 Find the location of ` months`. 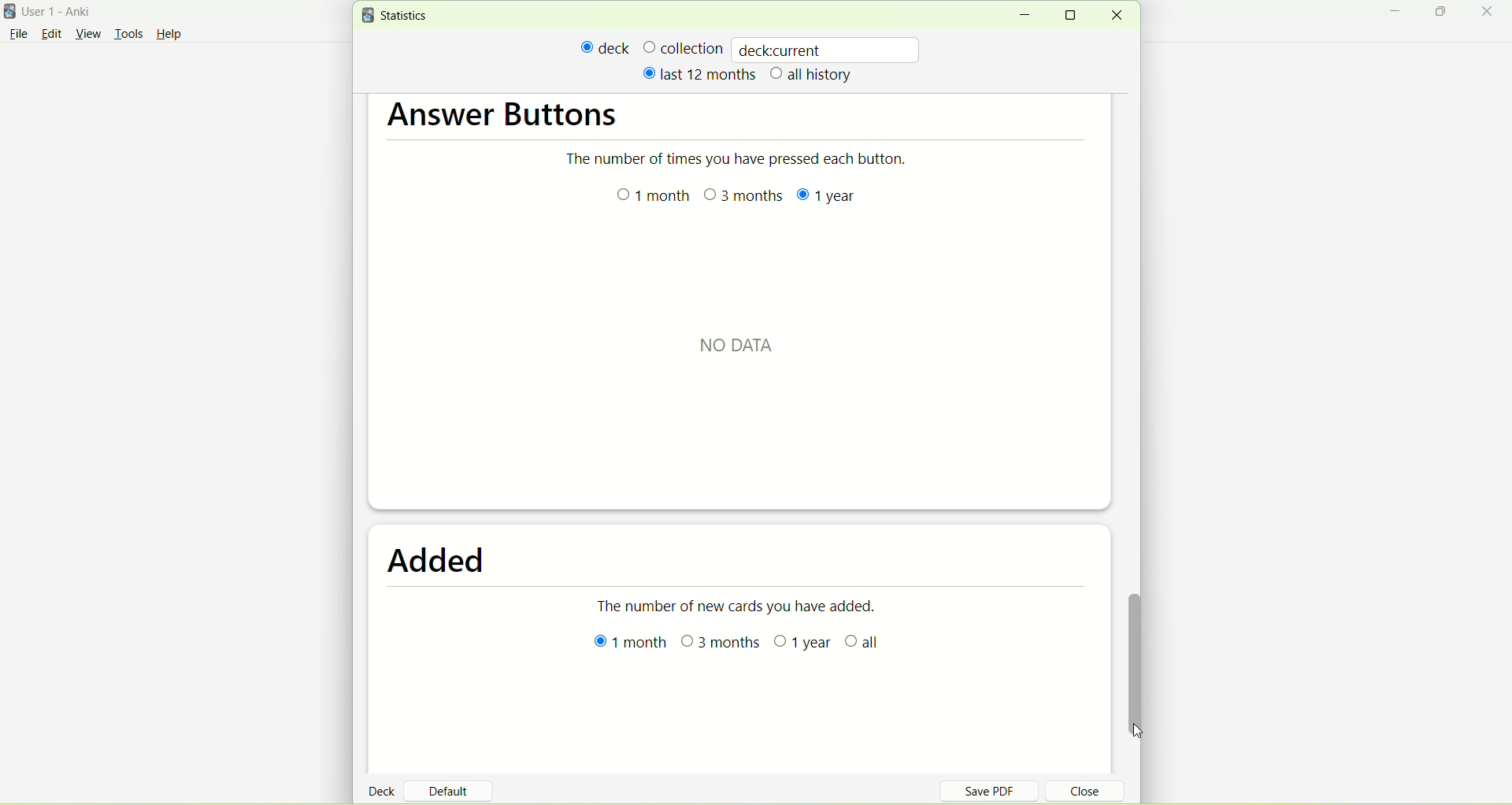

 months is located at coordinates (739, 195).